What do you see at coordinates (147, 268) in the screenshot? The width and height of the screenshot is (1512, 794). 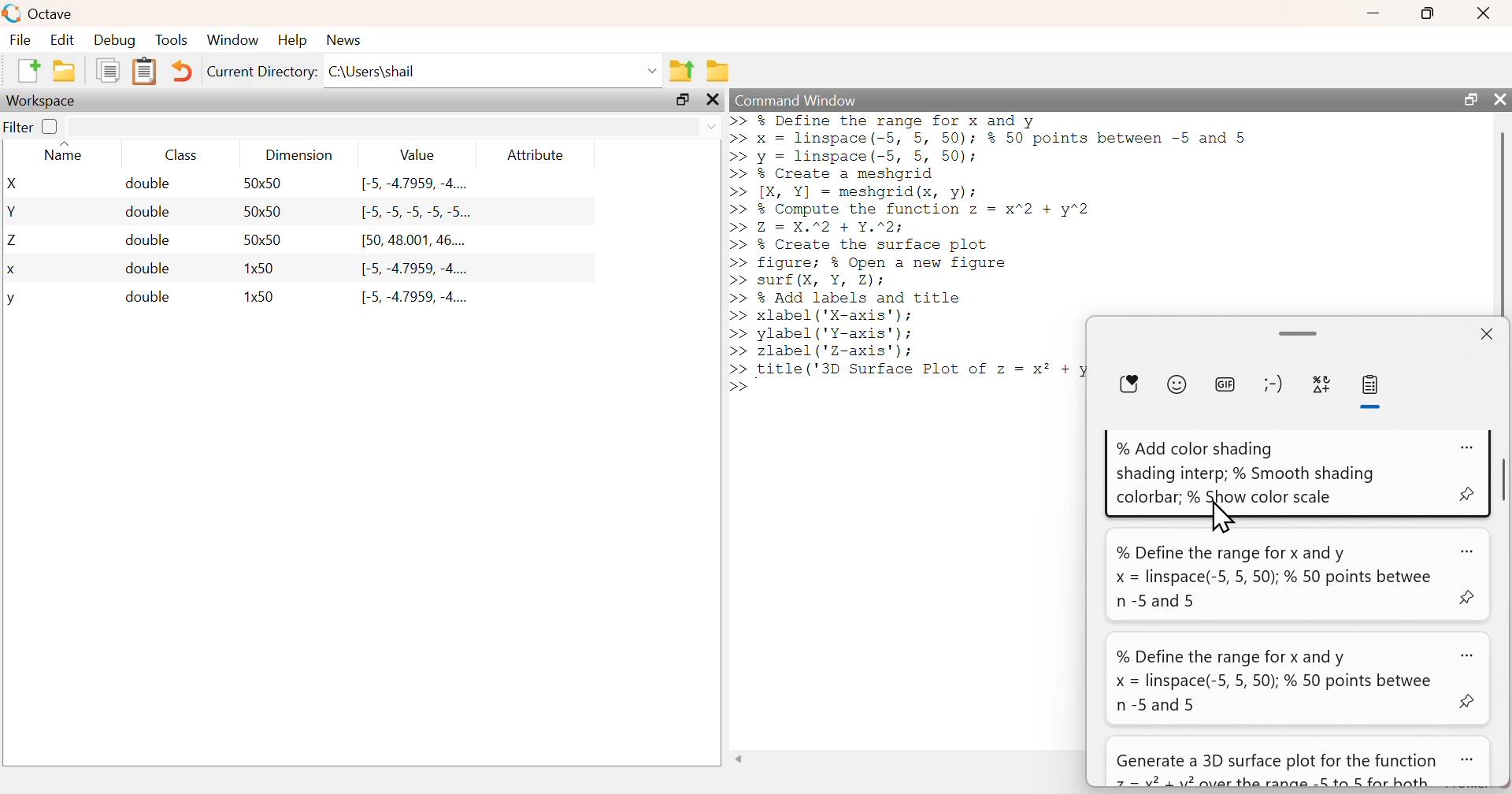 I see `double` at bounding box center [147, 268].